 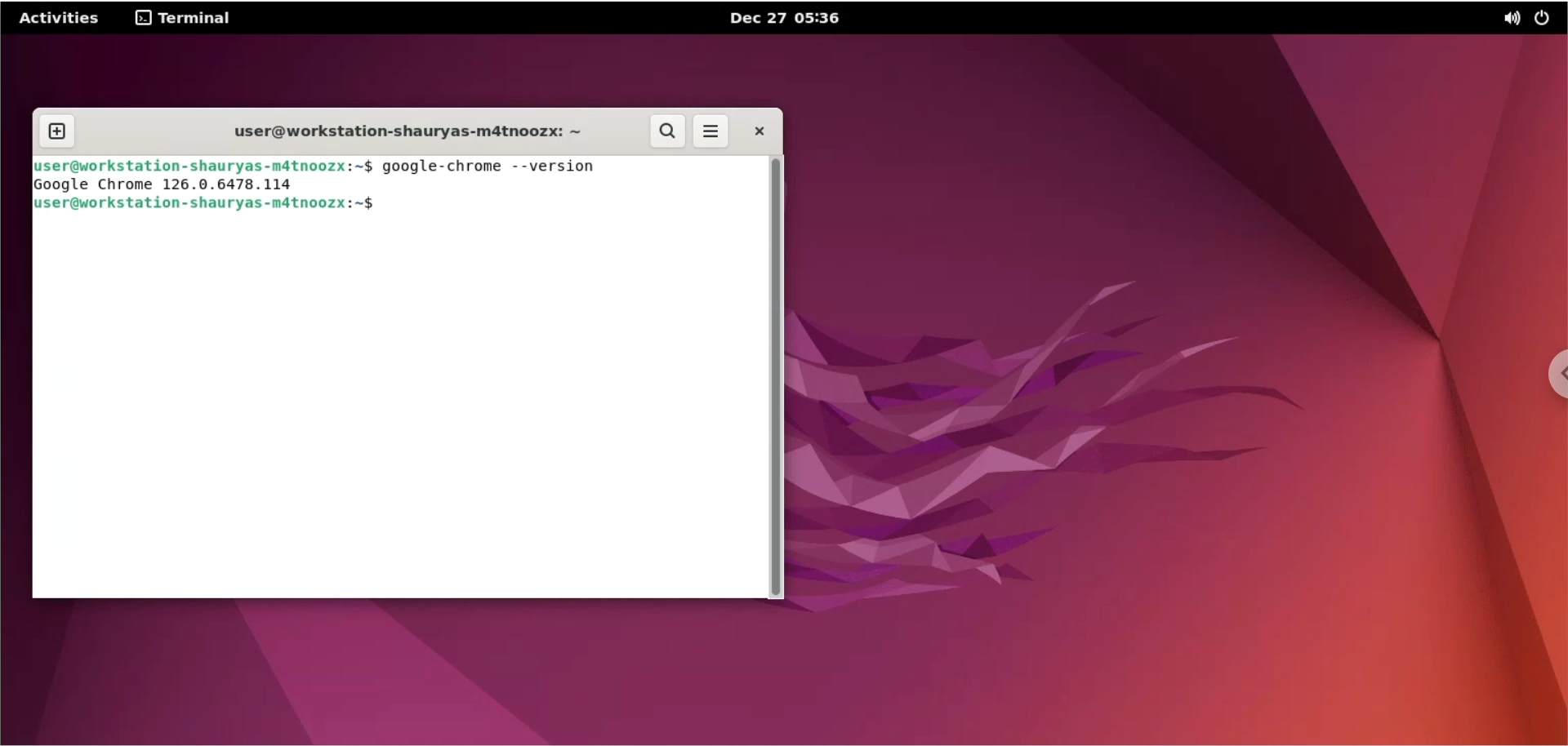 I want to click on user@workstation-shauryas-m4tnoozx: ~, so click(x=396, y=130).